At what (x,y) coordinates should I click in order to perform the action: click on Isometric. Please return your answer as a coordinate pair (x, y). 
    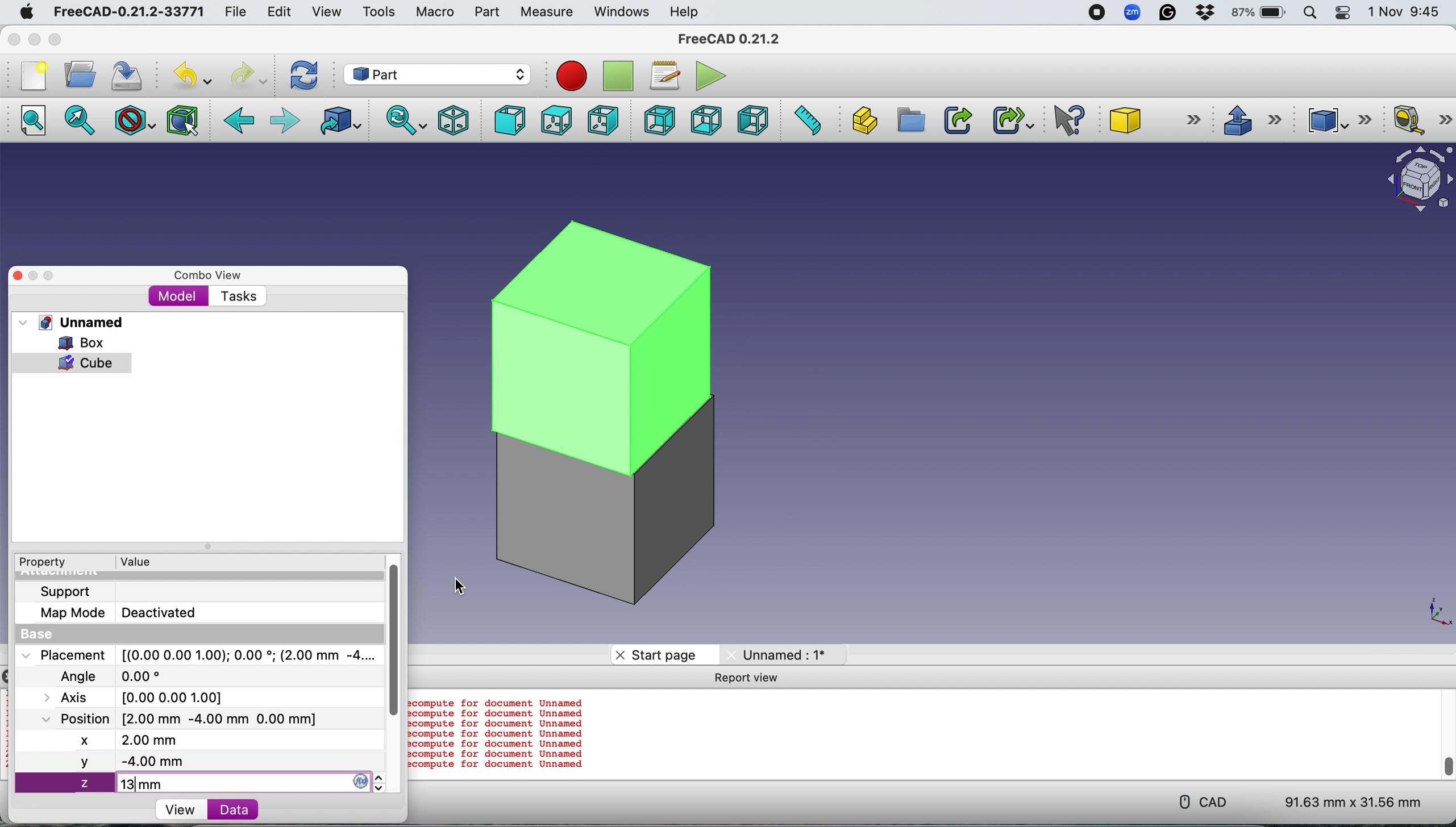
    Looking at the image, I should click on (454, 119).